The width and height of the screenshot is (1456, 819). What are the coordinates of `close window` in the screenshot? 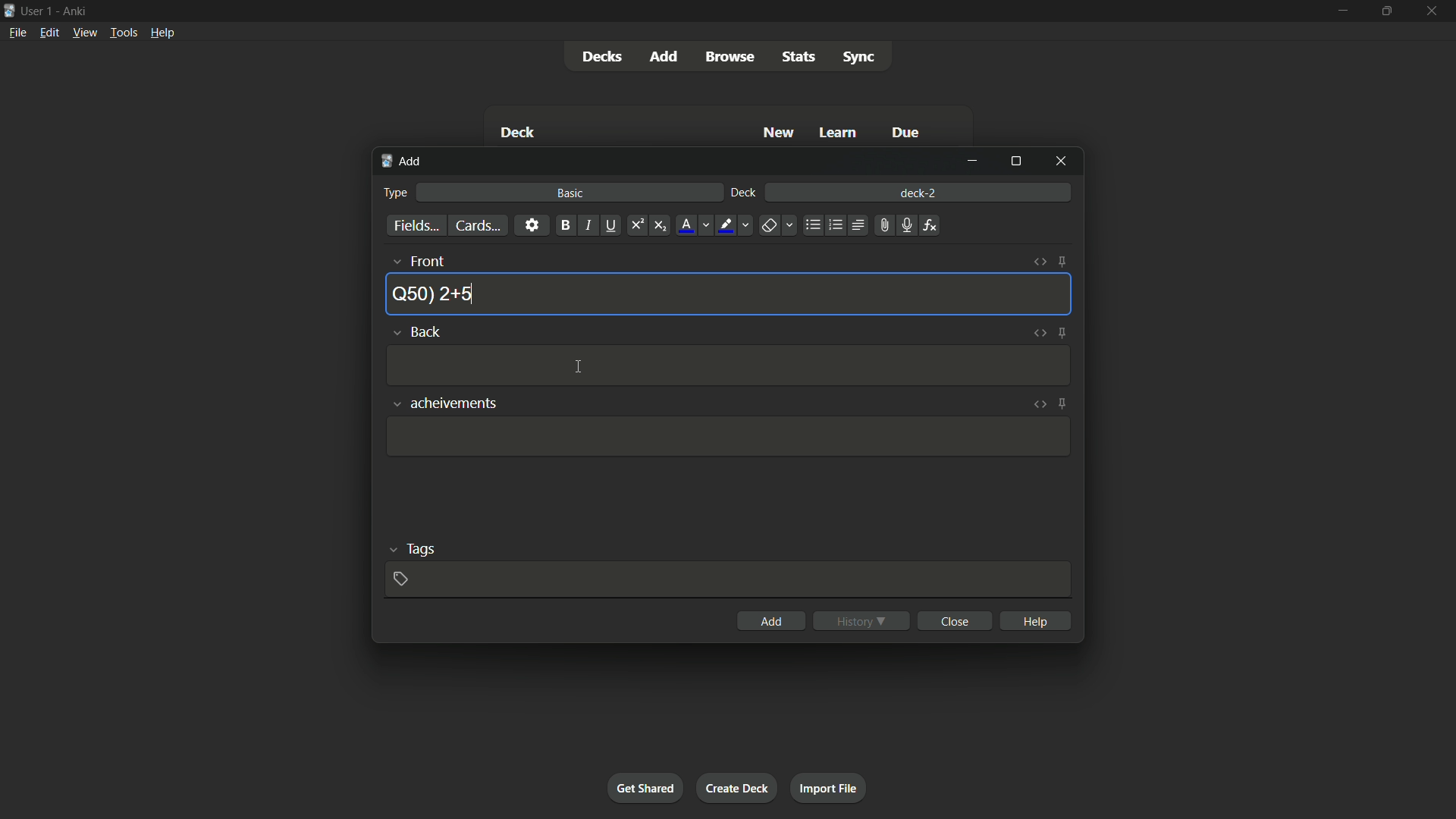 It's located at (1059, 162).